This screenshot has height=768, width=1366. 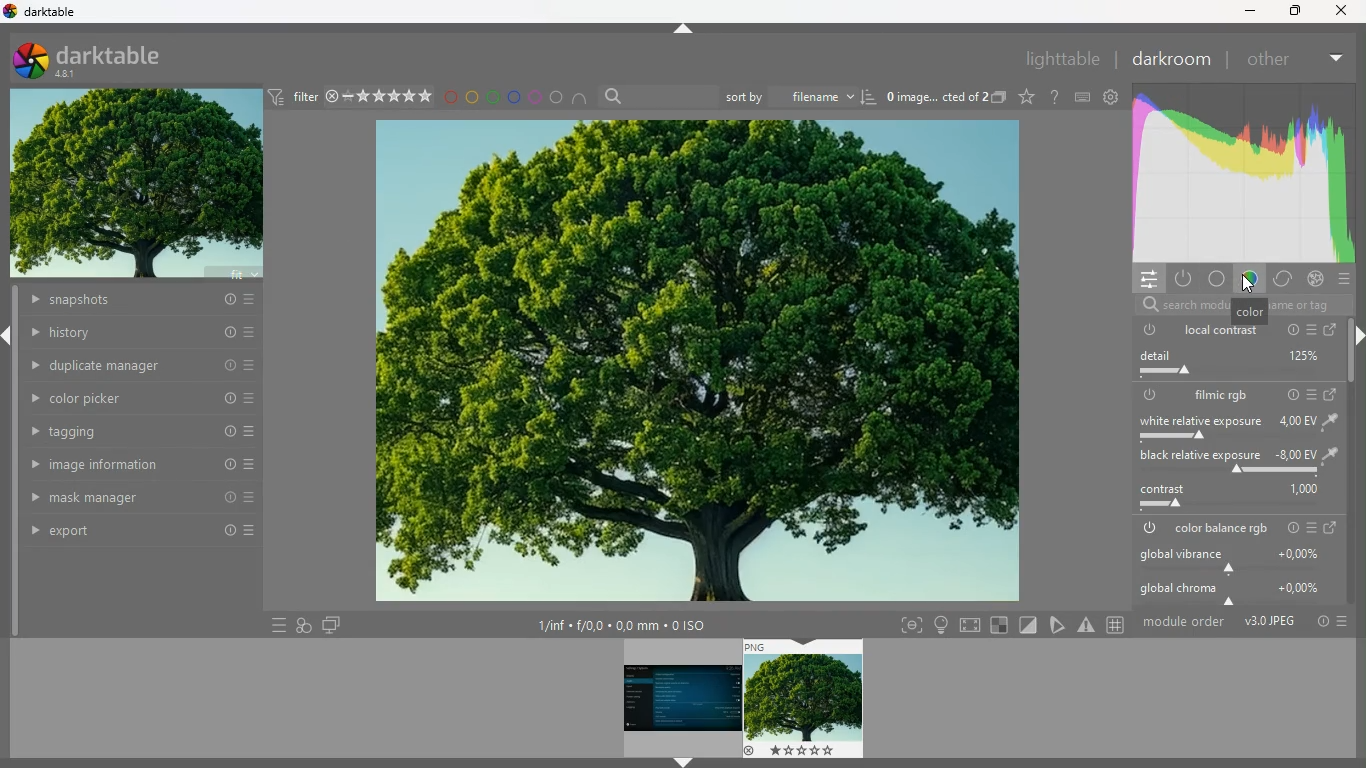 I want to click on filter, so click(x=349, y=96).